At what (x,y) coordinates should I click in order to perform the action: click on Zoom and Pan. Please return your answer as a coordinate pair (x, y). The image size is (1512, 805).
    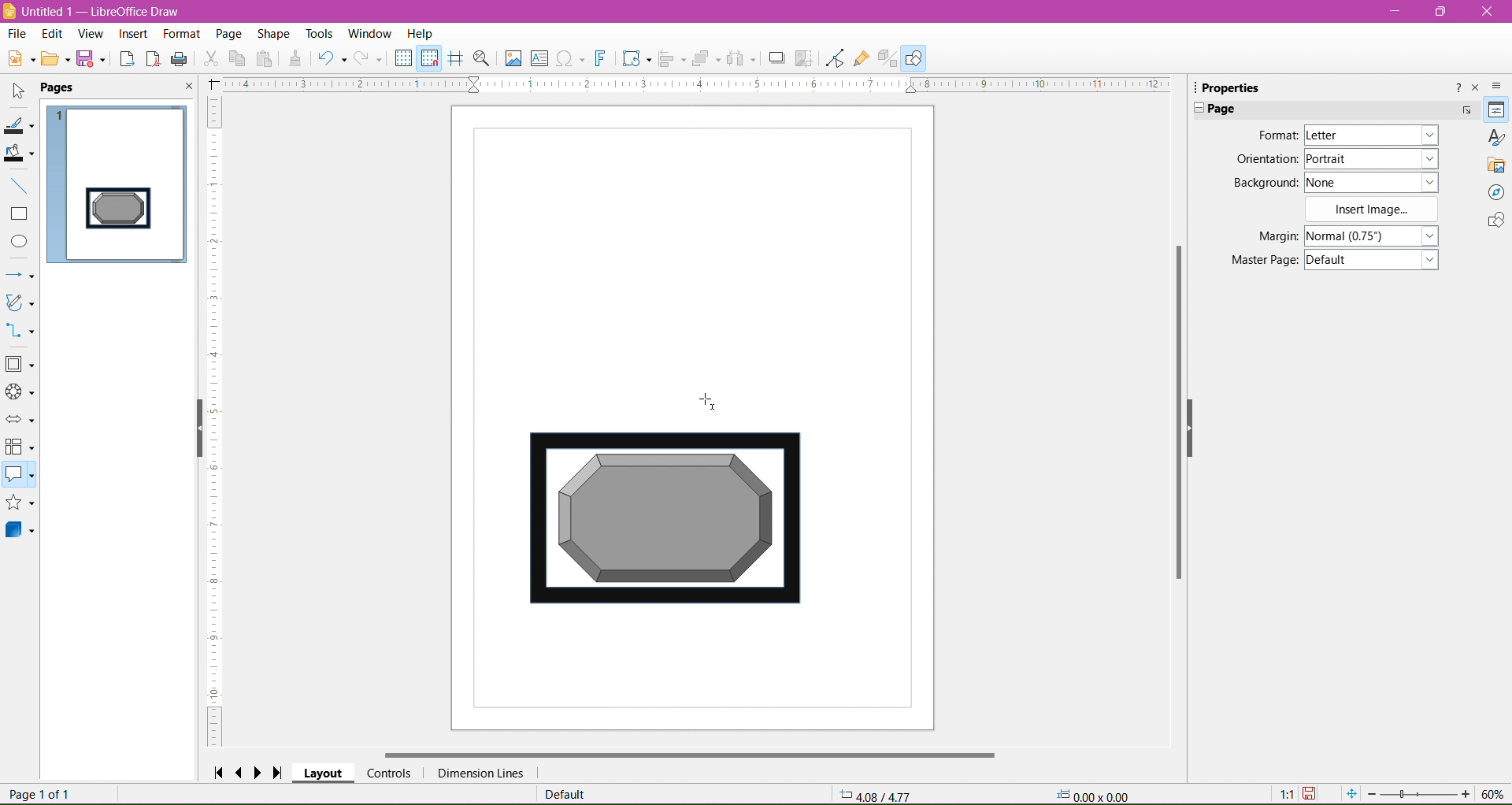
    Looking at the image, I should click on (482, 59).